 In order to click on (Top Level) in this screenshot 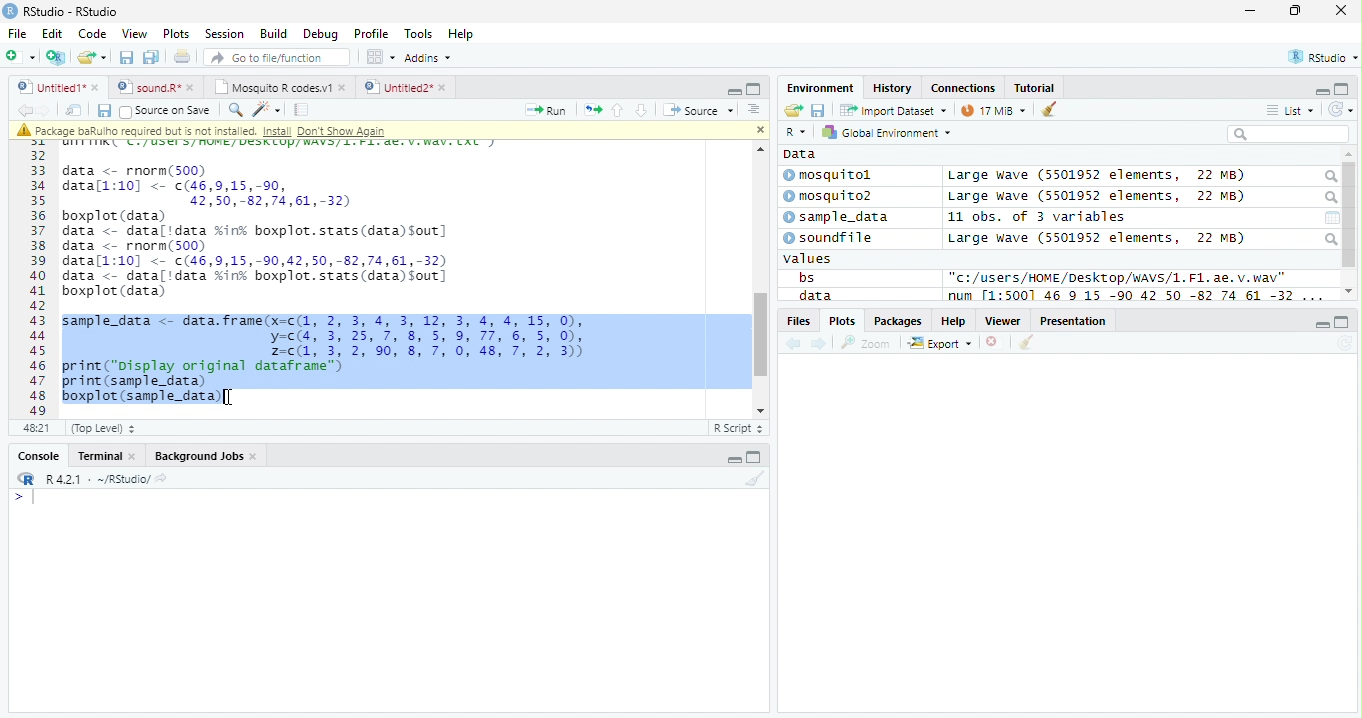, I will do `click(103, 429)`.